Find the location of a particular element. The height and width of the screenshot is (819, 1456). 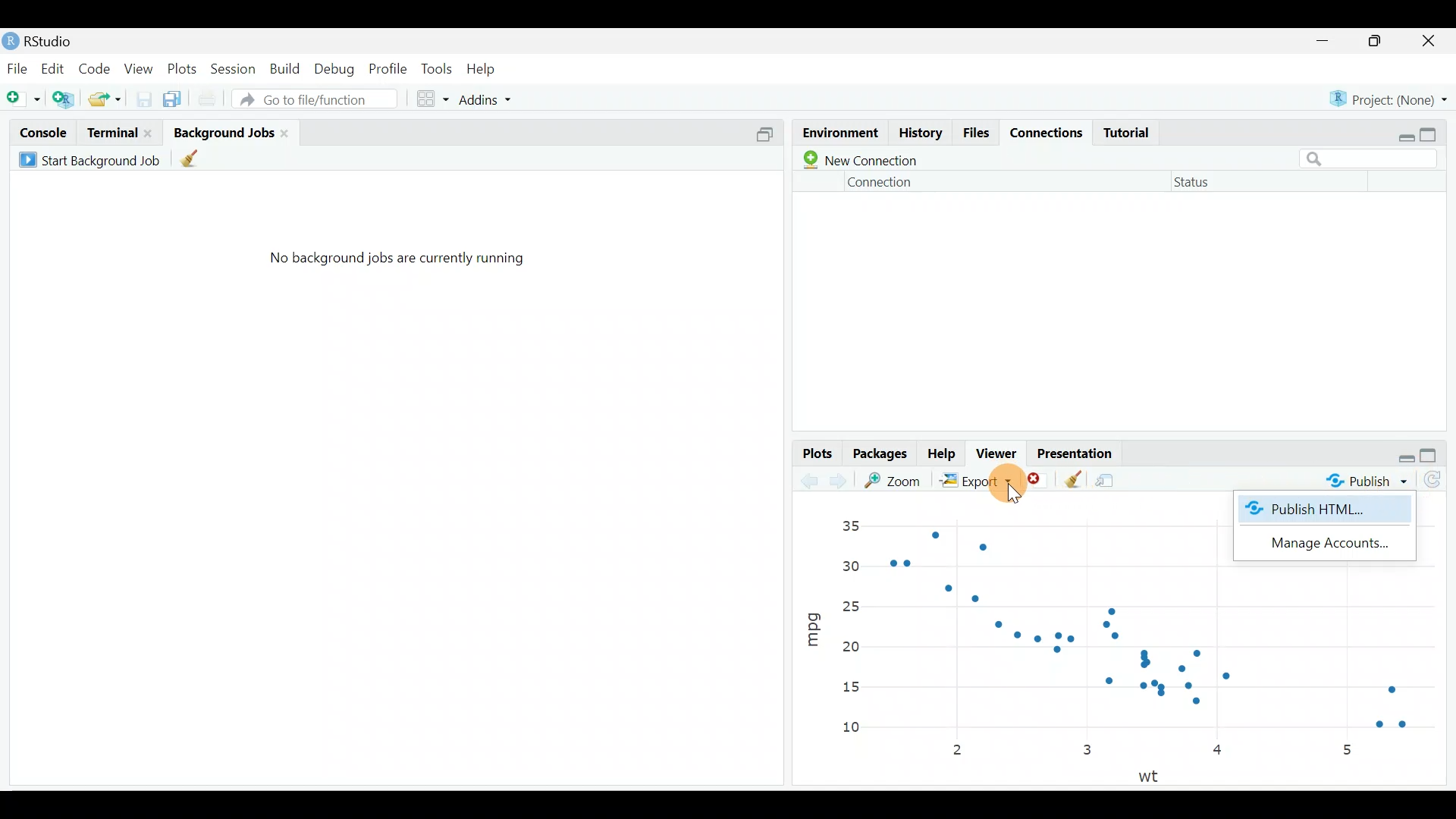

Save all open documents is located at coordinates (174, 96).